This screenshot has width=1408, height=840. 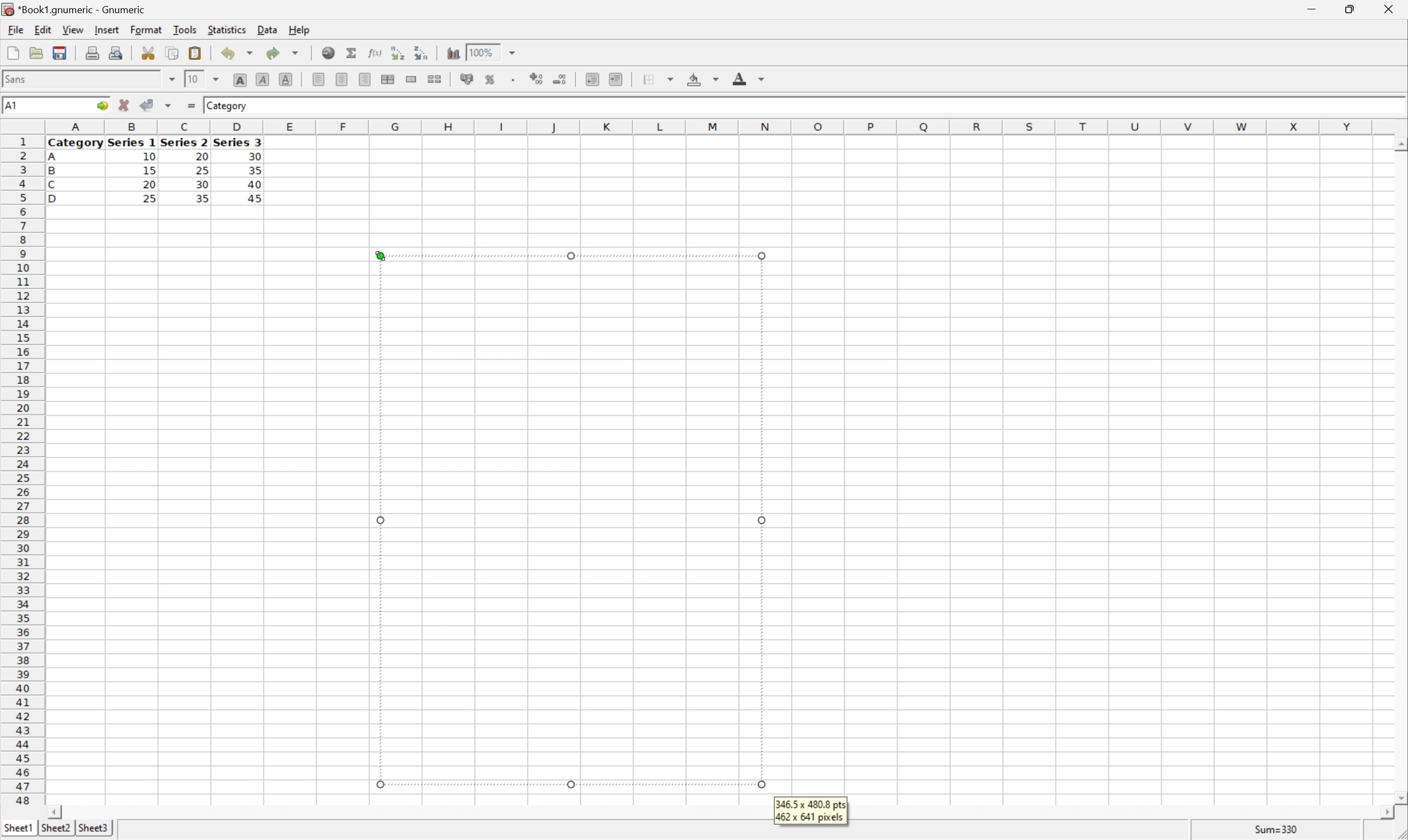 I want to click on 35, so click(x=202, y=198).